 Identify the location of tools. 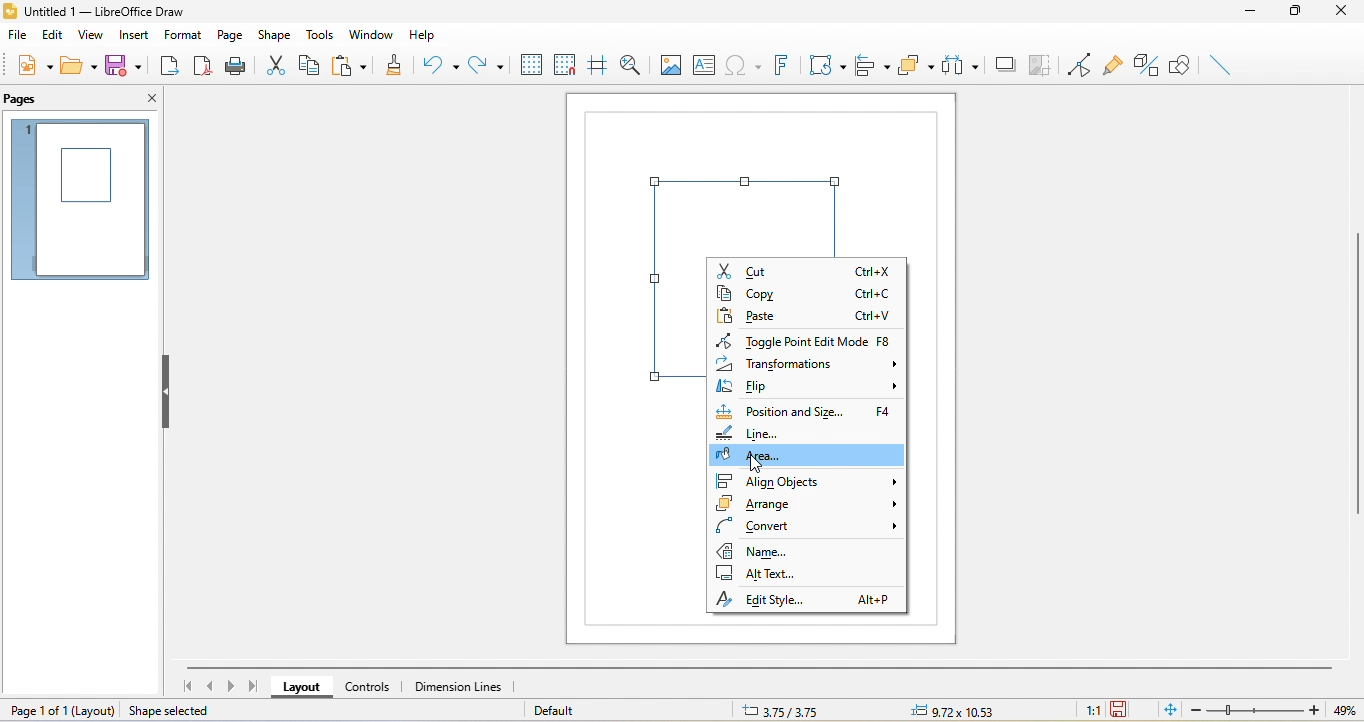
(323, 33).